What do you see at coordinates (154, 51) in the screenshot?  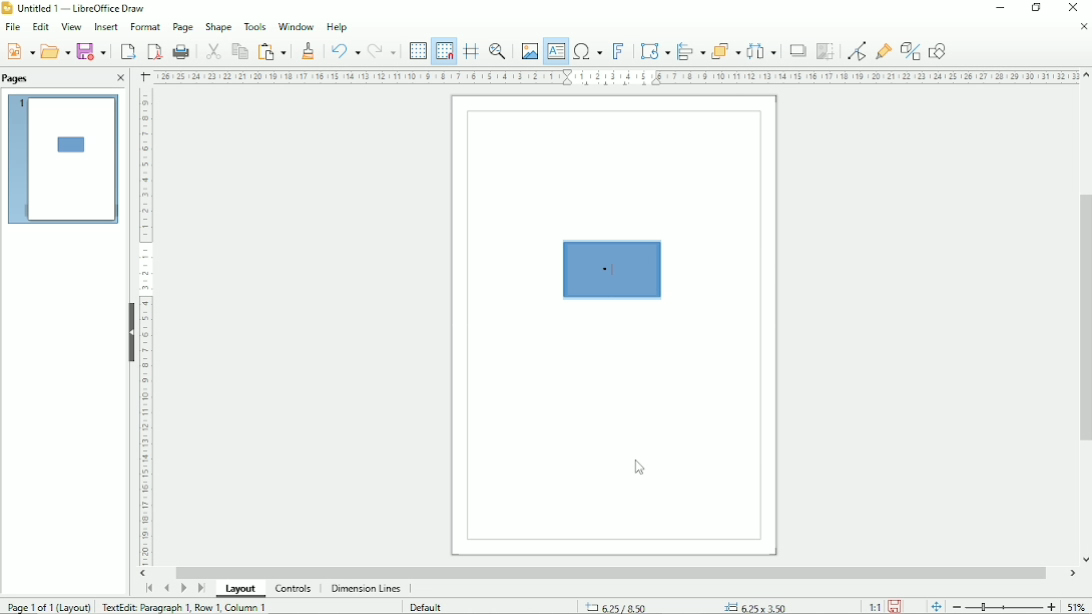 I see `Export directly as PDF` at bounding box center [154, 51].